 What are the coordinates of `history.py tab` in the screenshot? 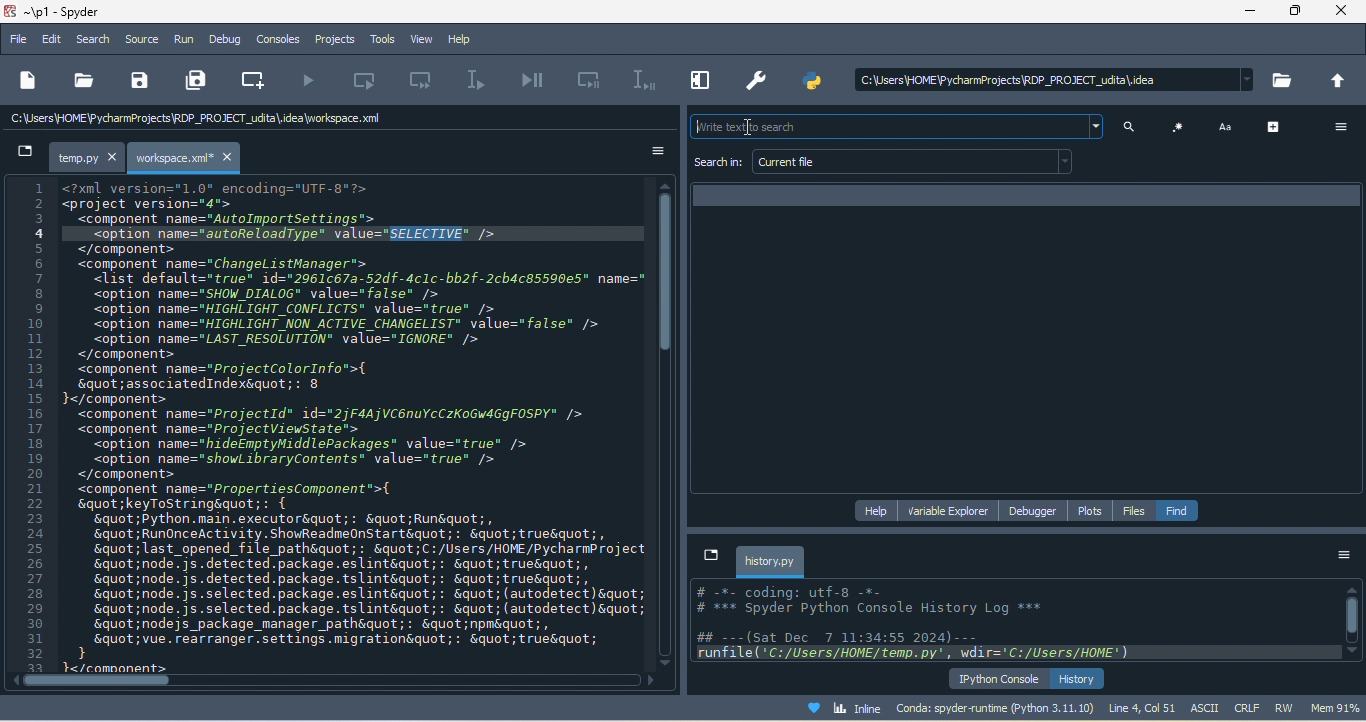 It's located at (771, 561).